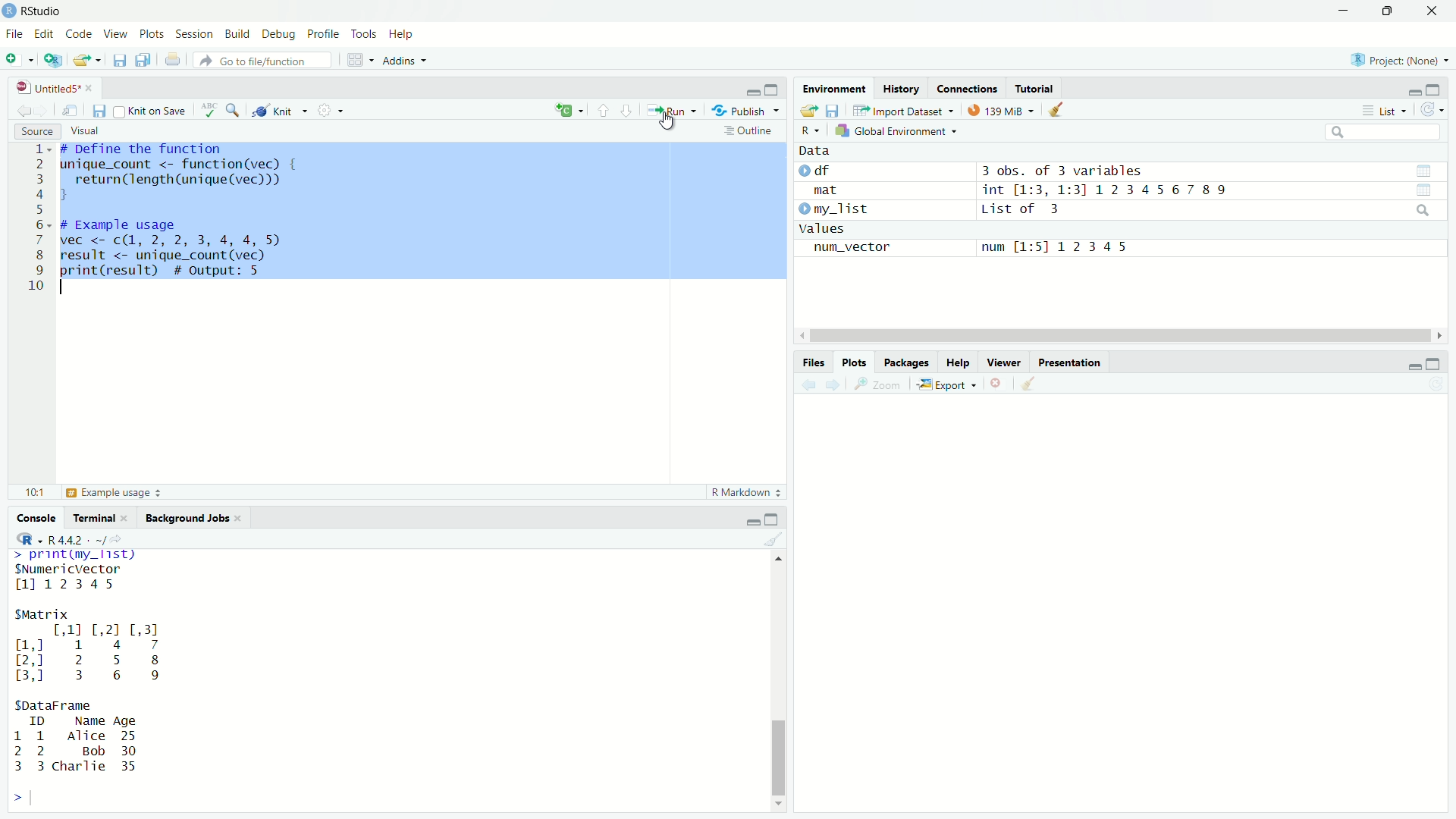 The height and width of the screenshot is (819, 1456). What do you see at coordinates (38, 517) in the screenshot?
I see `Console` at bounding box center [38, 517].